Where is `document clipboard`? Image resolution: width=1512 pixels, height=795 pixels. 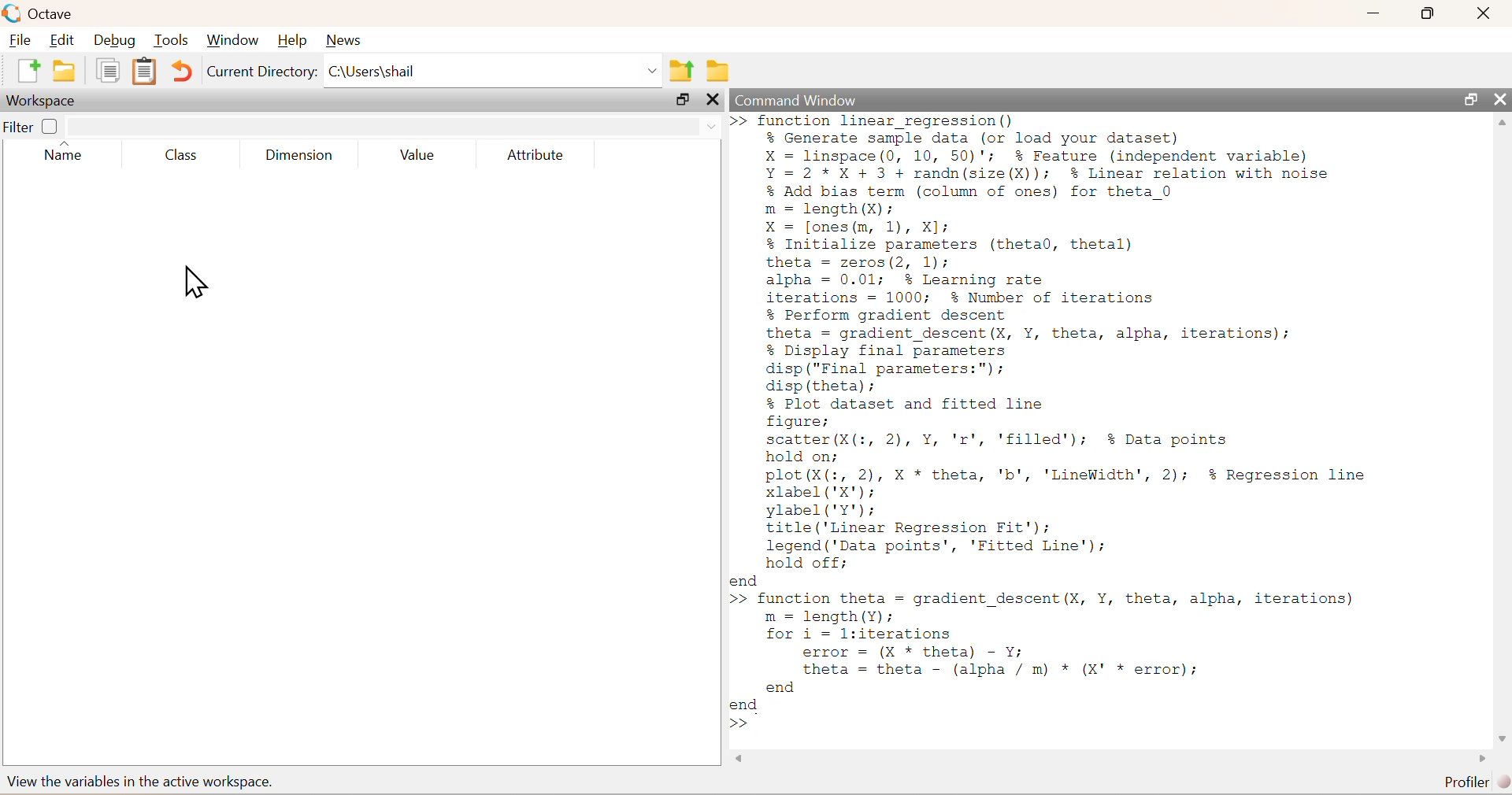 document clipboard is located at coordinates (144, 72).